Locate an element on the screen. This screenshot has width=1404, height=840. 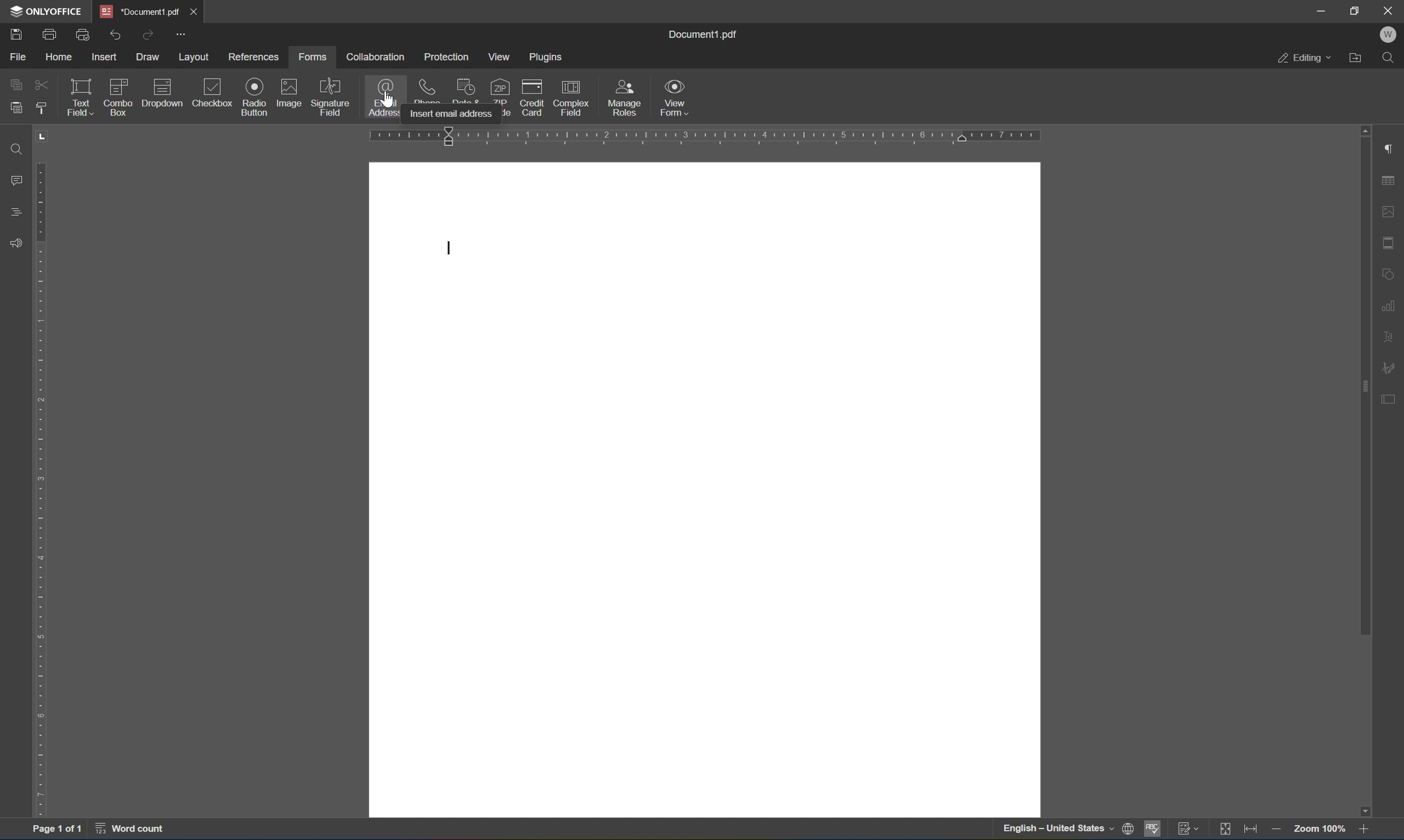
Insert email address is located at coordinates (450, 115).